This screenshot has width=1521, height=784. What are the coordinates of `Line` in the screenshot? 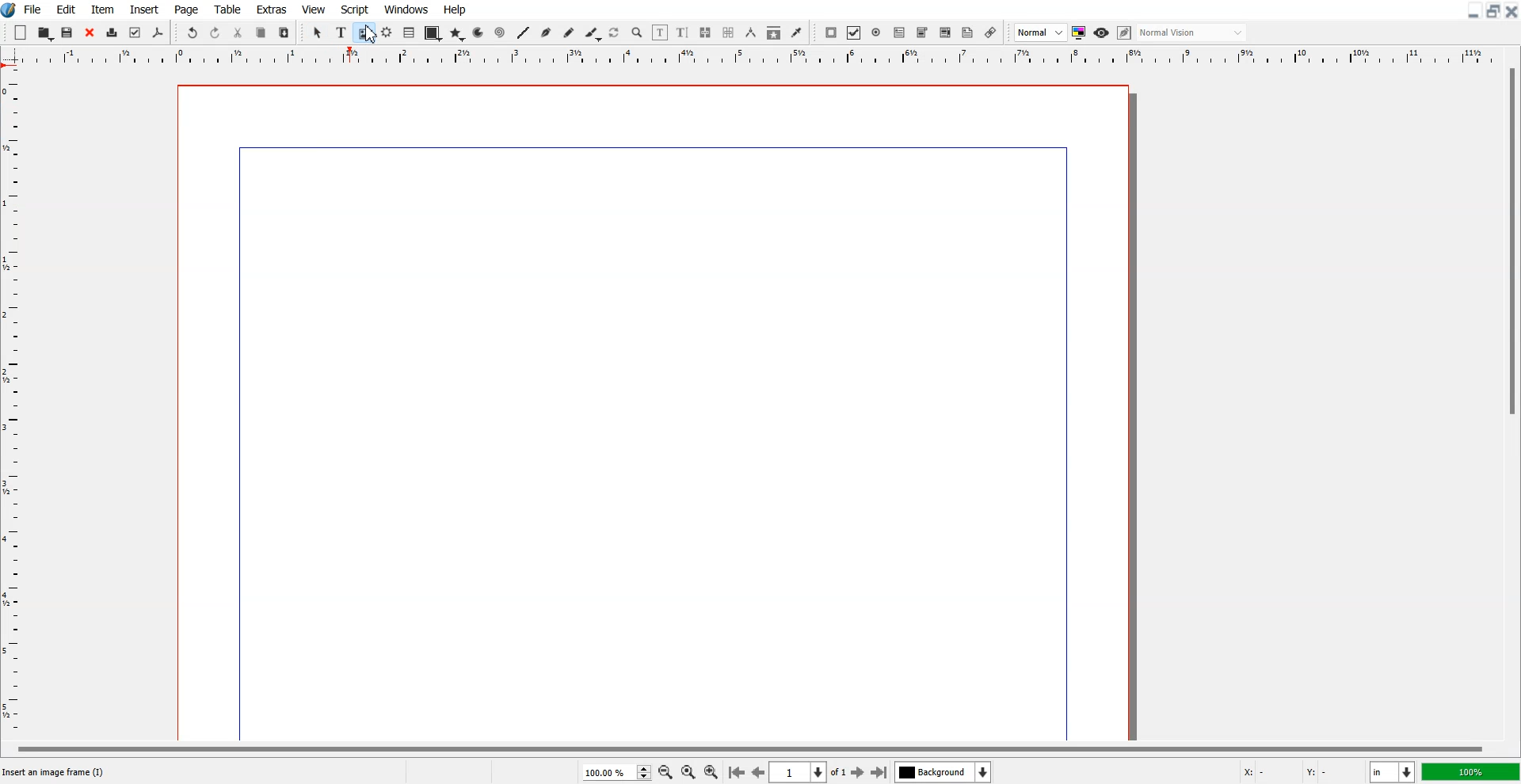 It's located at (524, 32).